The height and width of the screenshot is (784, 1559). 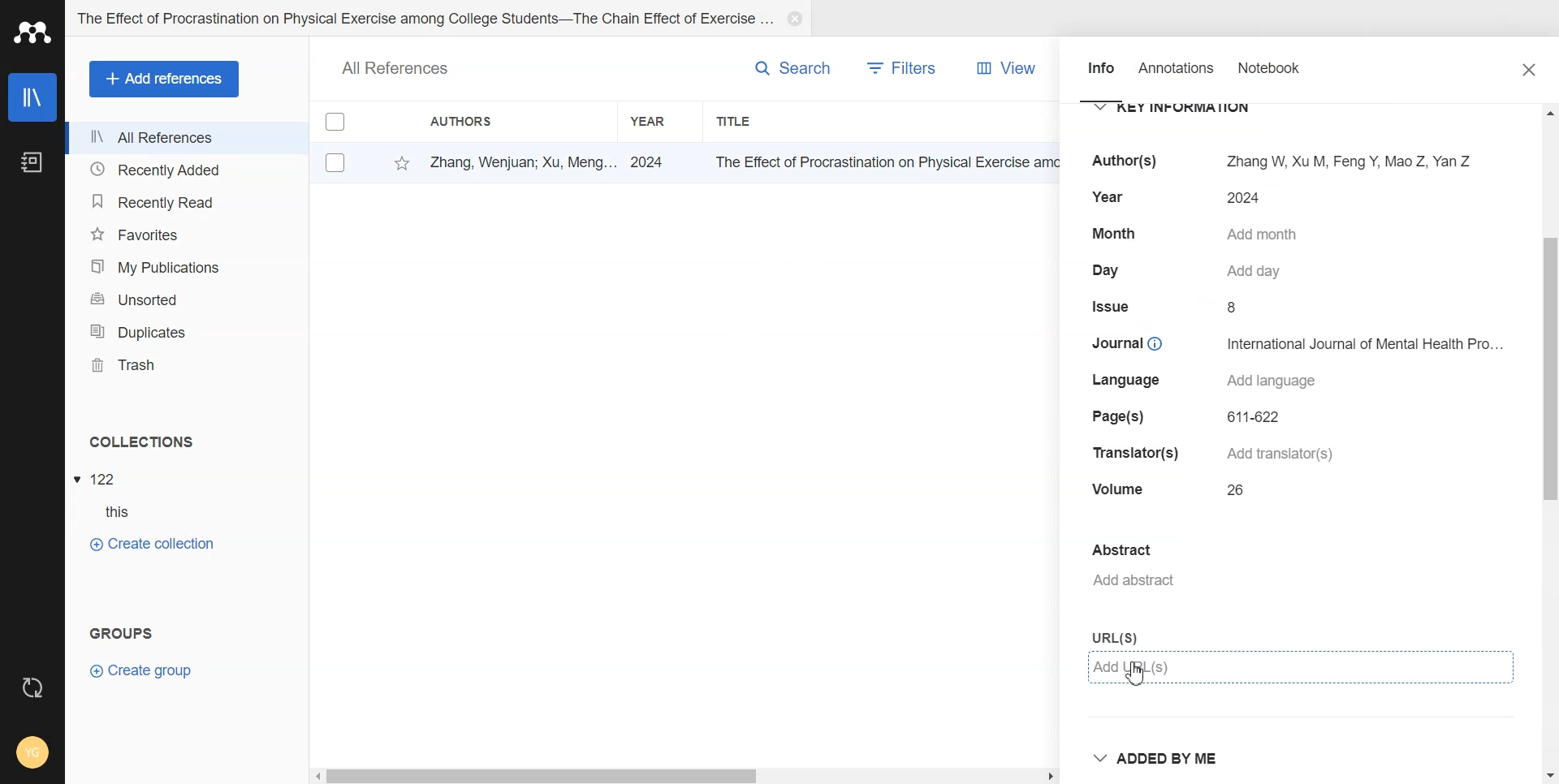 What do you see at coordinates (110, 513) in the screenshot?
I see `Subfolder` at bounding box center [110, 513].